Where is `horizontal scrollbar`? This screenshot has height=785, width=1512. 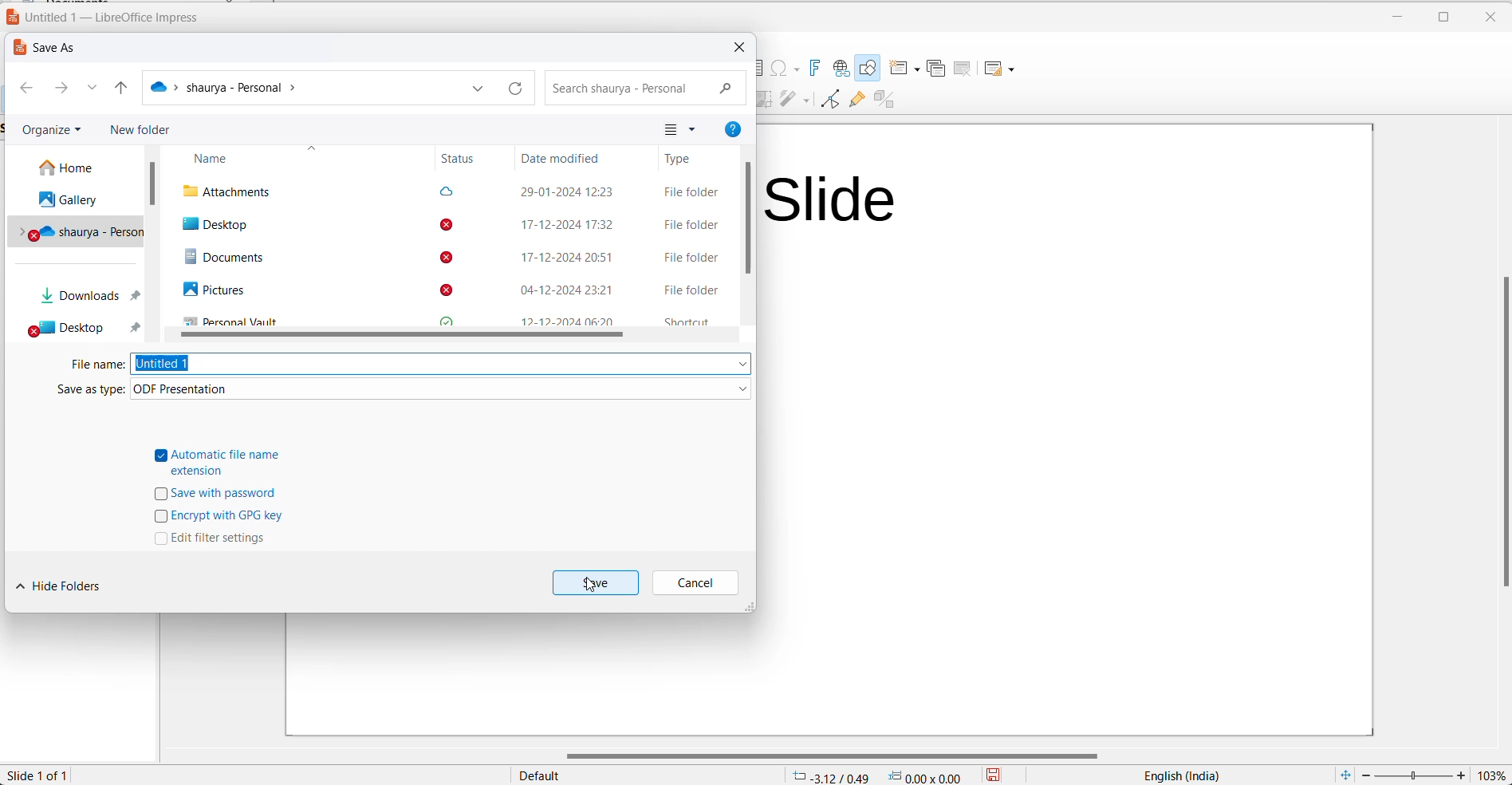 horizontal scrollbar is located at coordinates (833, 754).